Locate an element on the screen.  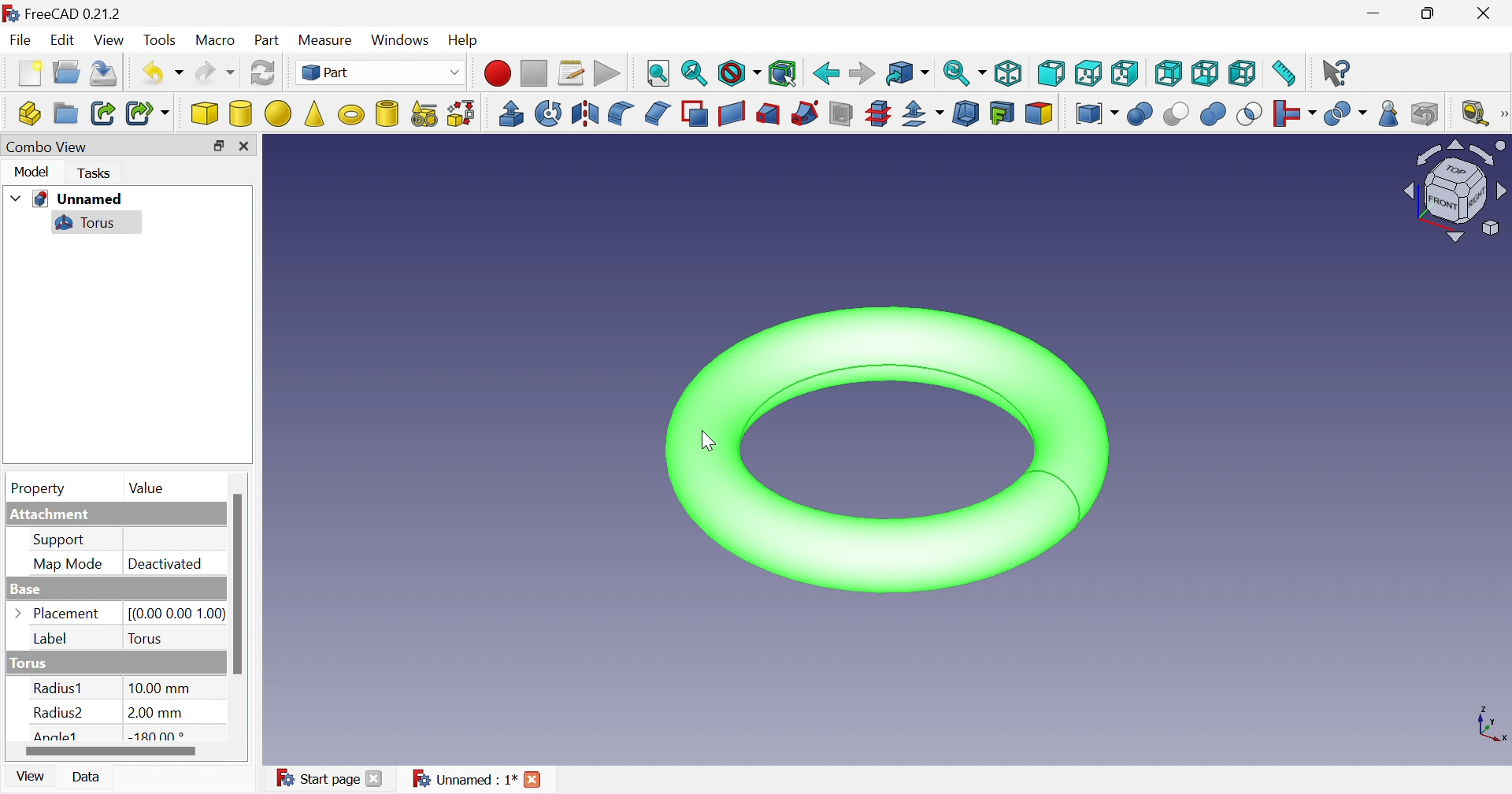
-180.00° is located at coordinates (157, 736).